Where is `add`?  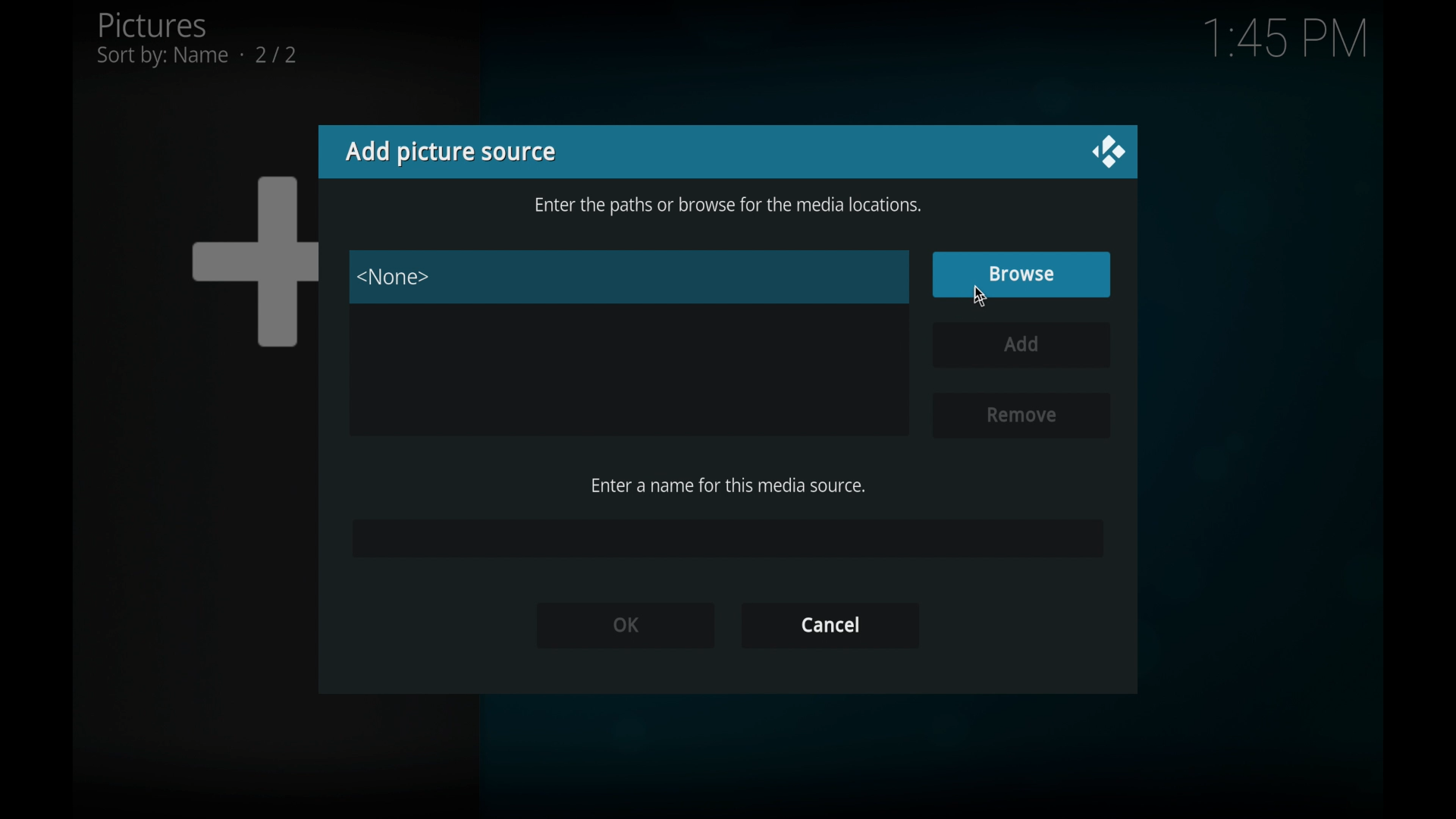 add is located at coordinates (1022, 345).